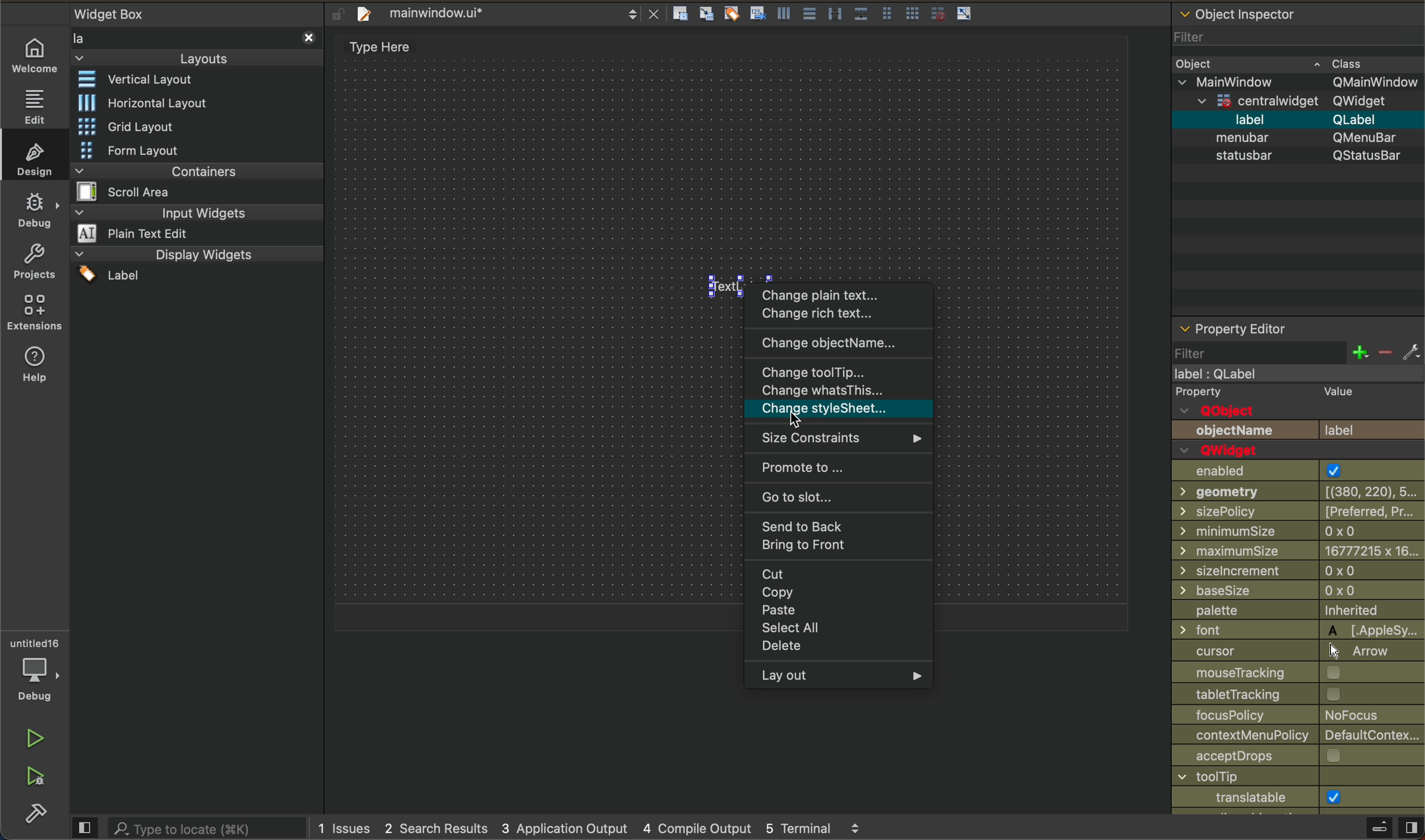 Image resolution: width=1425 pixels, height=840 pixels. I want to click on select all, so click(833, 628).